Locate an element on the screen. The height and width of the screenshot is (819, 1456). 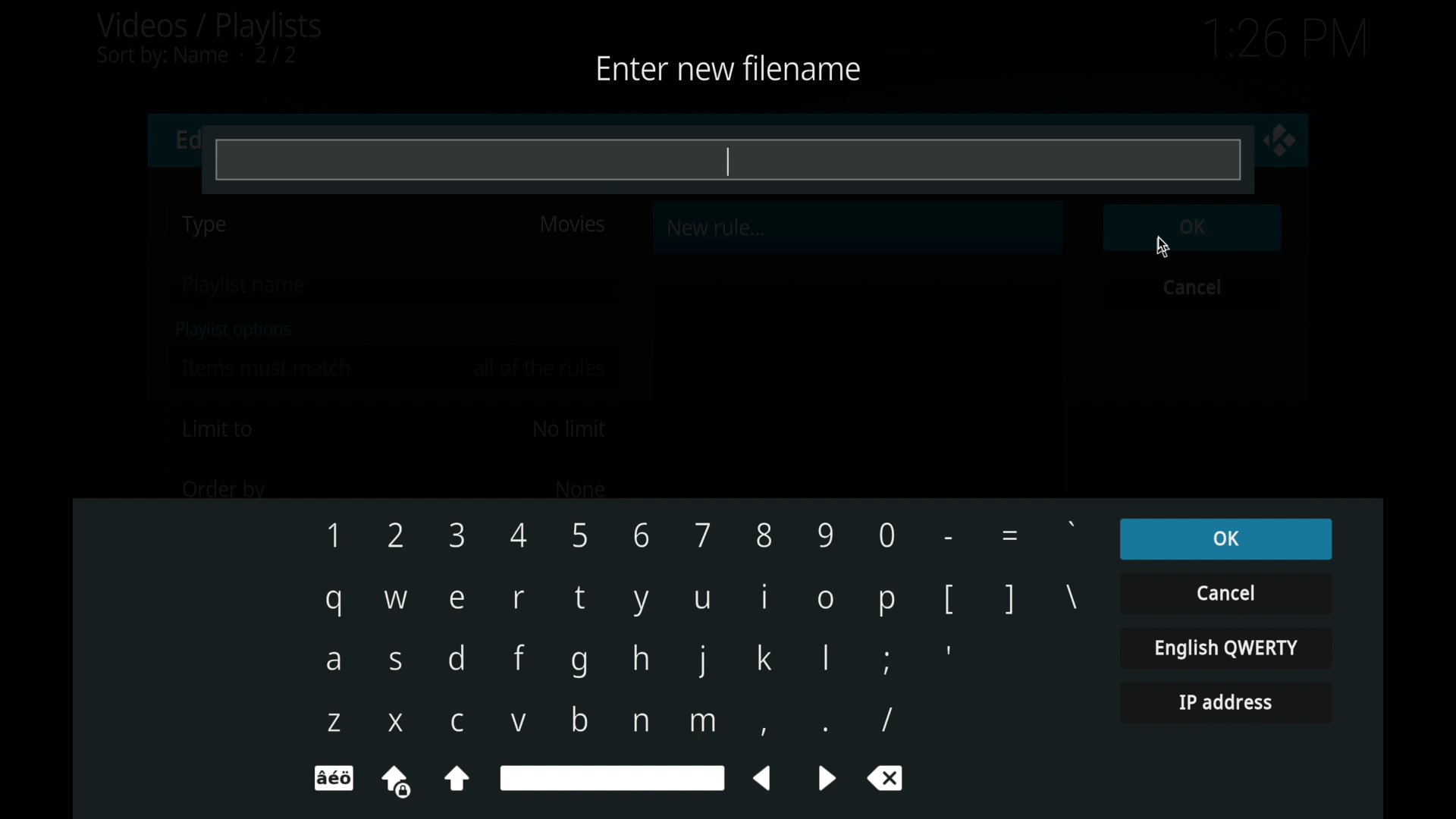
playlist options is located at coordinates (234, 330).